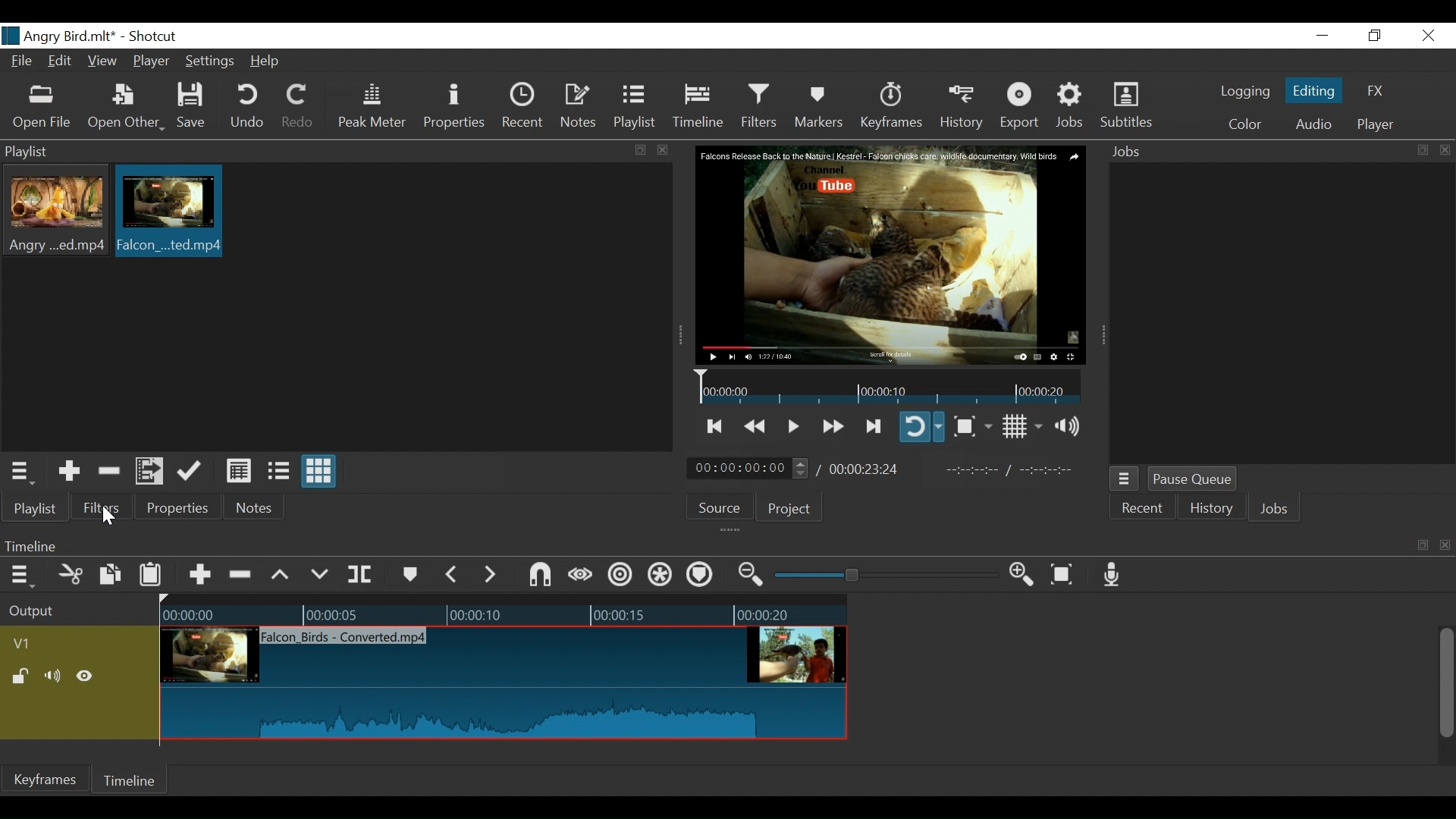 The height and width of the screenshot is (819, 1456). Describe the element at coordinates (299, 106) in the screenshot. I see `Redo` at that location.